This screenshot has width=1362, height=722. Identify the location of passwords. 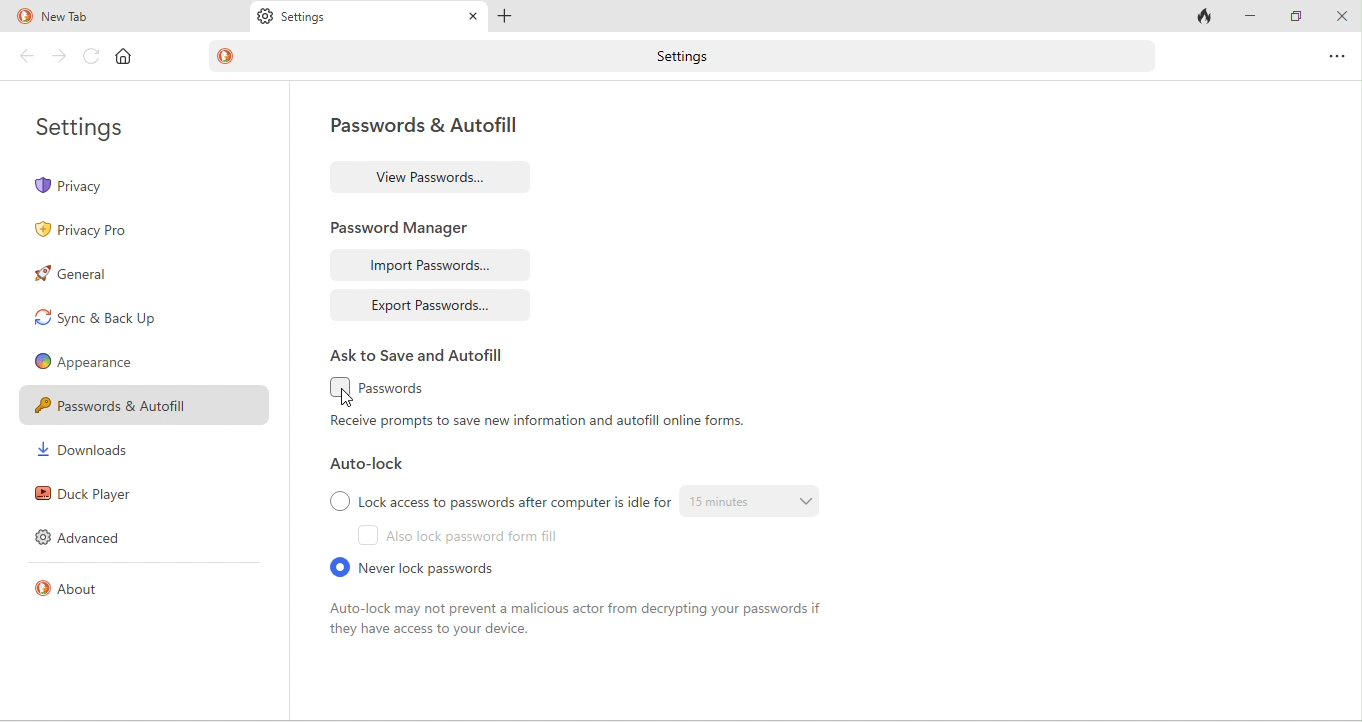
(402, 386).